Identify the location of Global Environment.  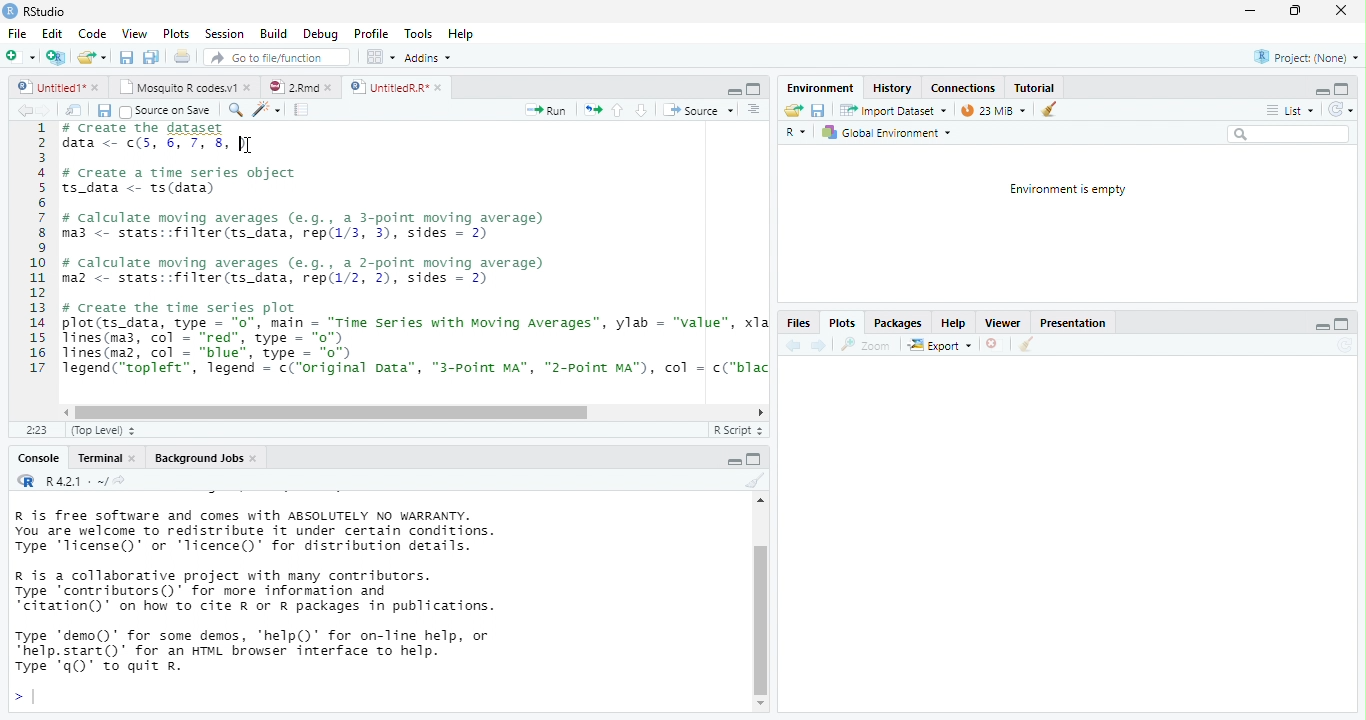
(886, 133).